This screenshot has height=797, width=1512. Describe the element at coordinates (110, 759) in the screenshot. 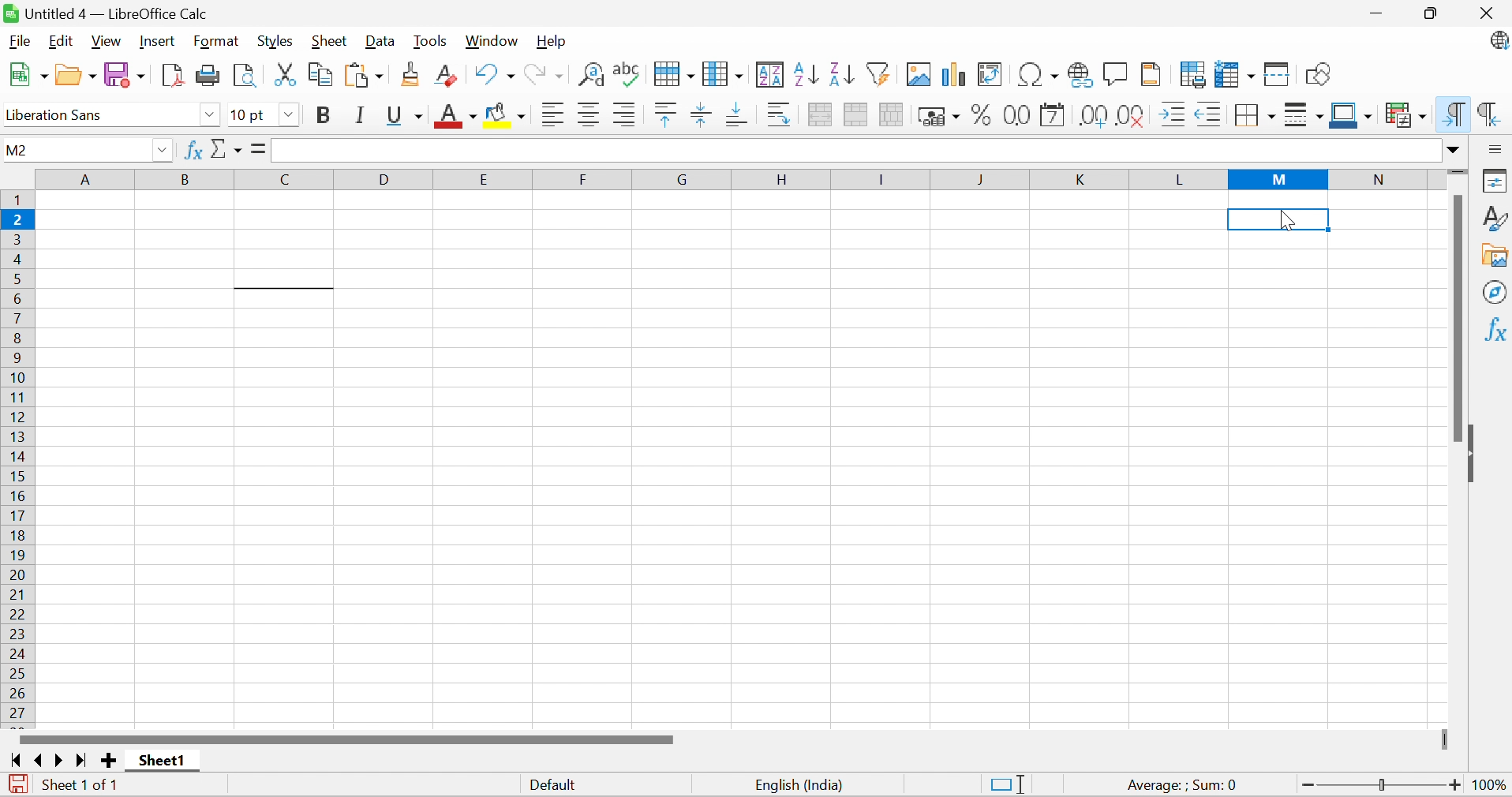

I see `Add new sheet` at that location.